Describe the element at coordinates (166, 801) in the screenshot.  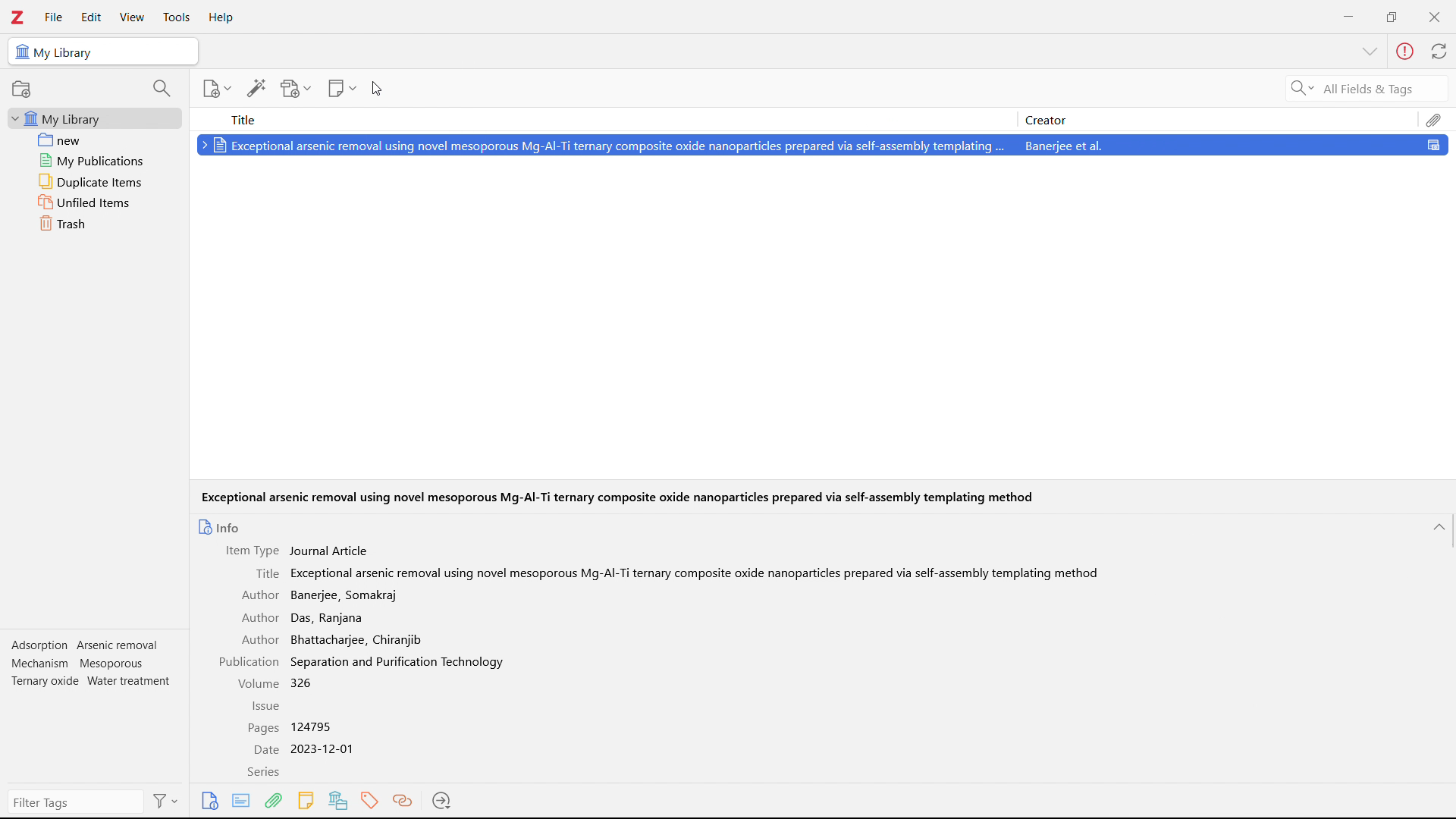
I see `Filters` at that location.